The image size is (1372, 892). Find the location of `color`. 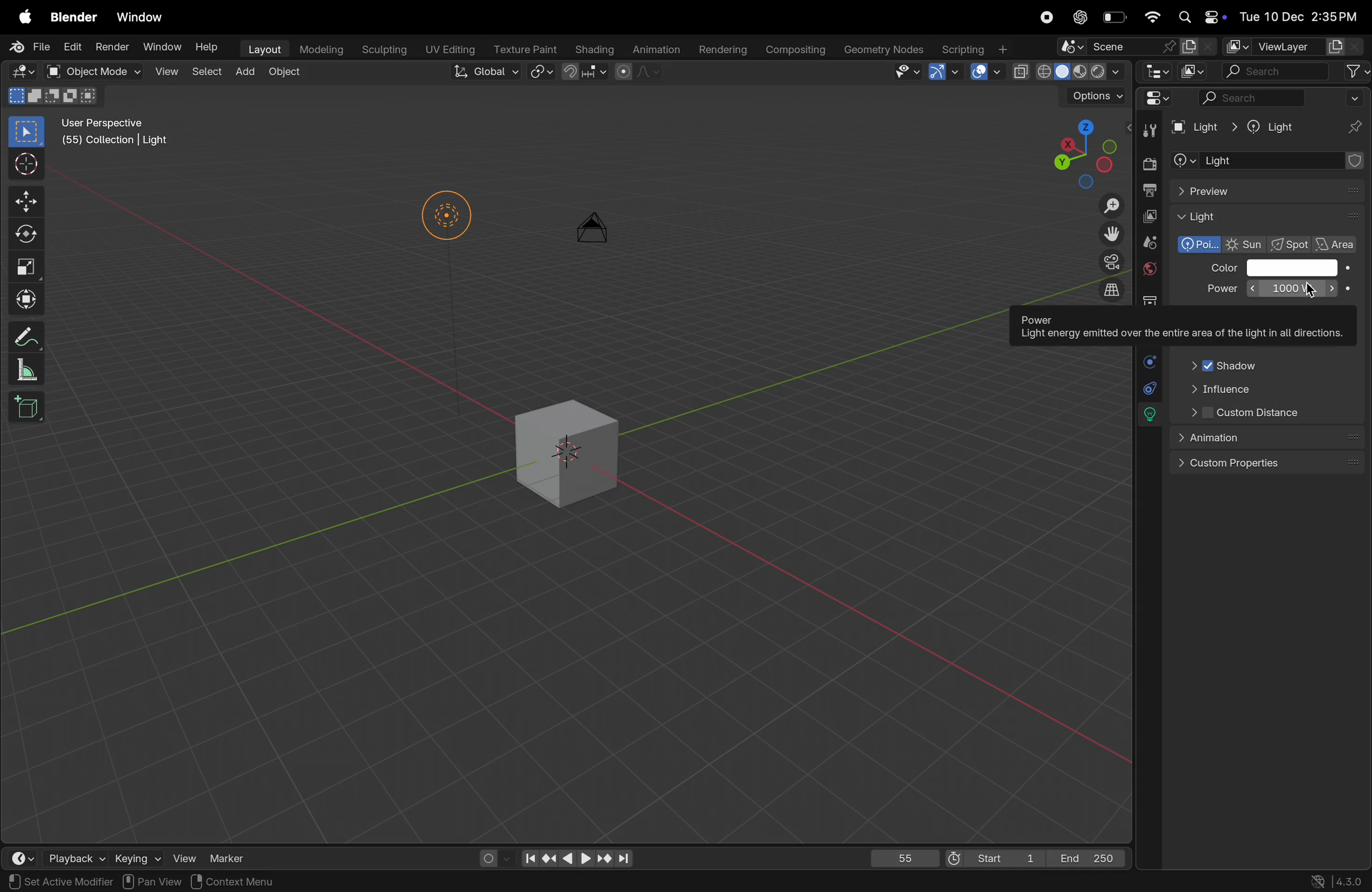

color is located at coordinates (1299, 267).